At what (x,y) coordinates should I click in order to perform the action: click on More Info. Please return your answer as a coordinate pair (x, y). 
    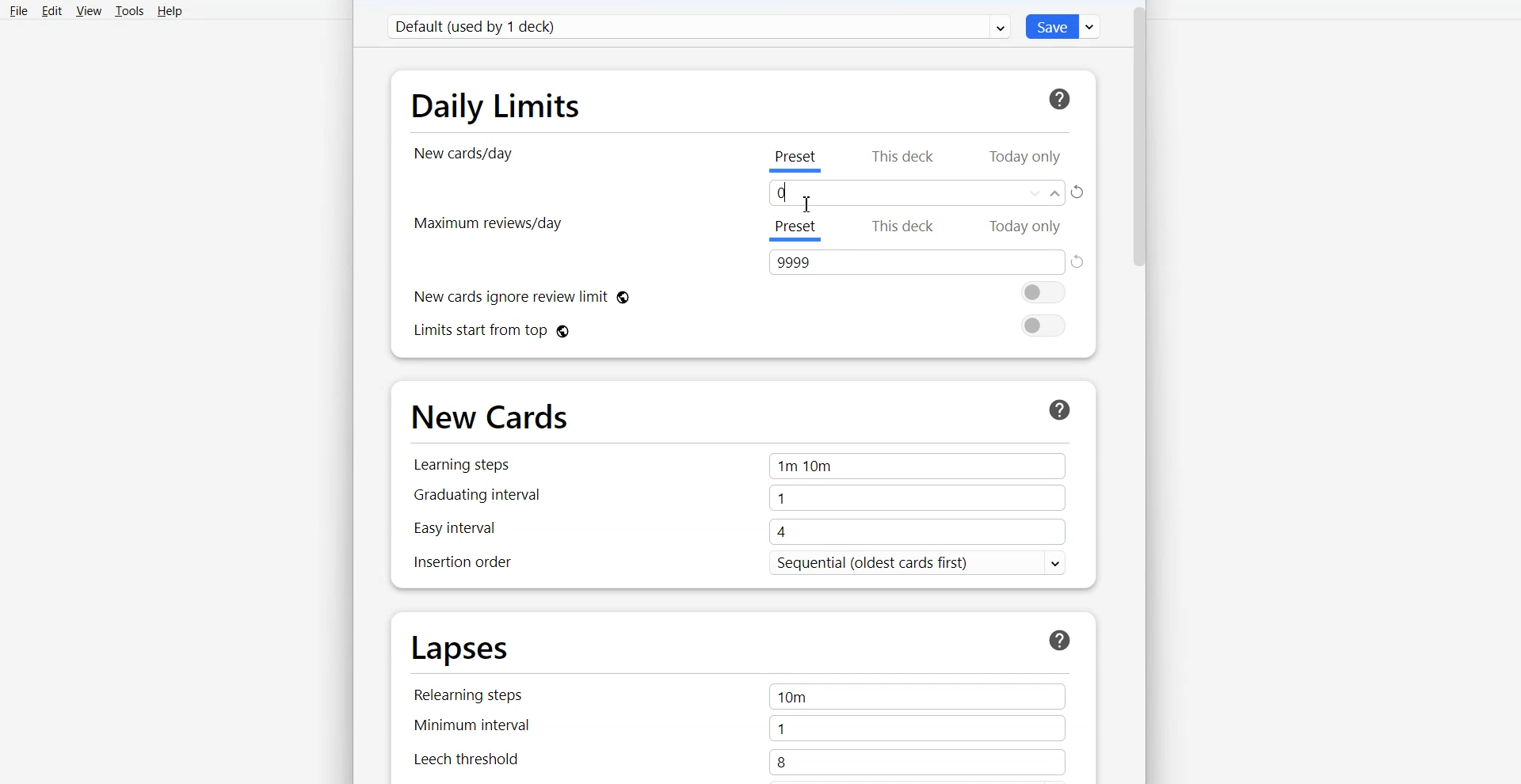
    Looking at the image, I should click on (1061, 637).